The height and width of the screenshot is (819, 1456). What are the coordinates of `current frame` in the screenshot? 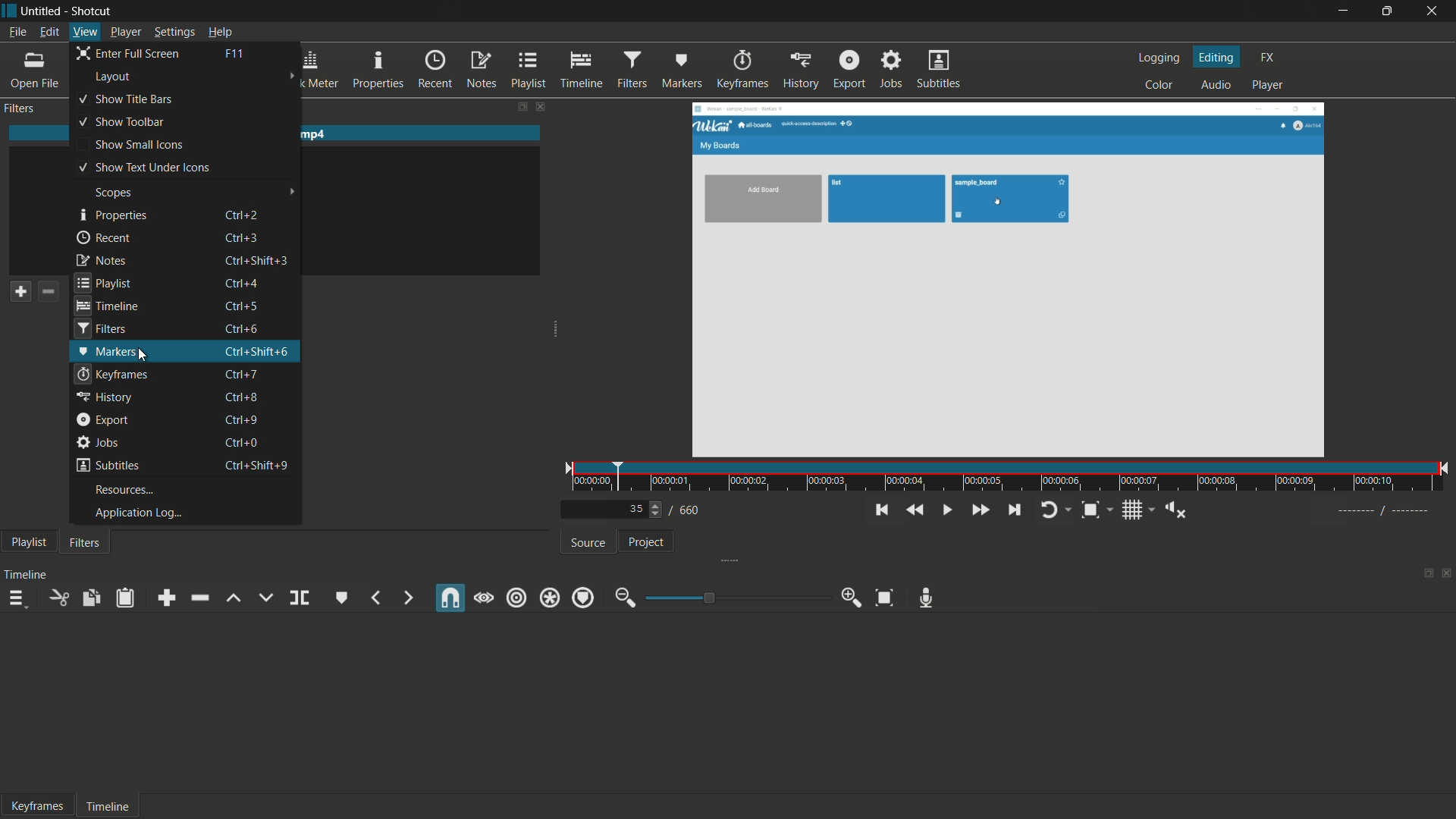 It's located at (639, 510).